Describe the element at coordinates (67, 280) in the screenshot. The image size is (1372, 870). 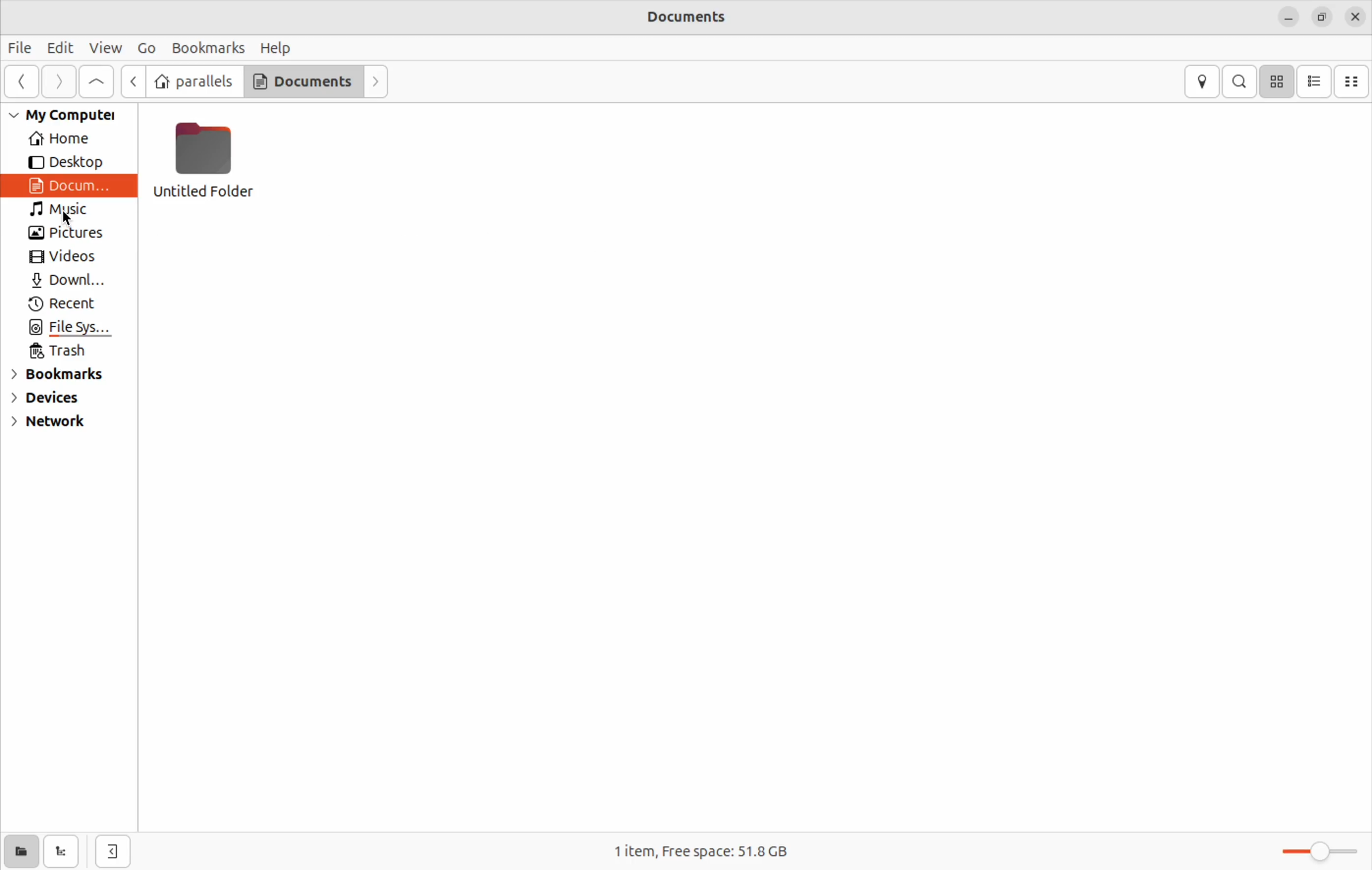
I see `Downloads` at that location.